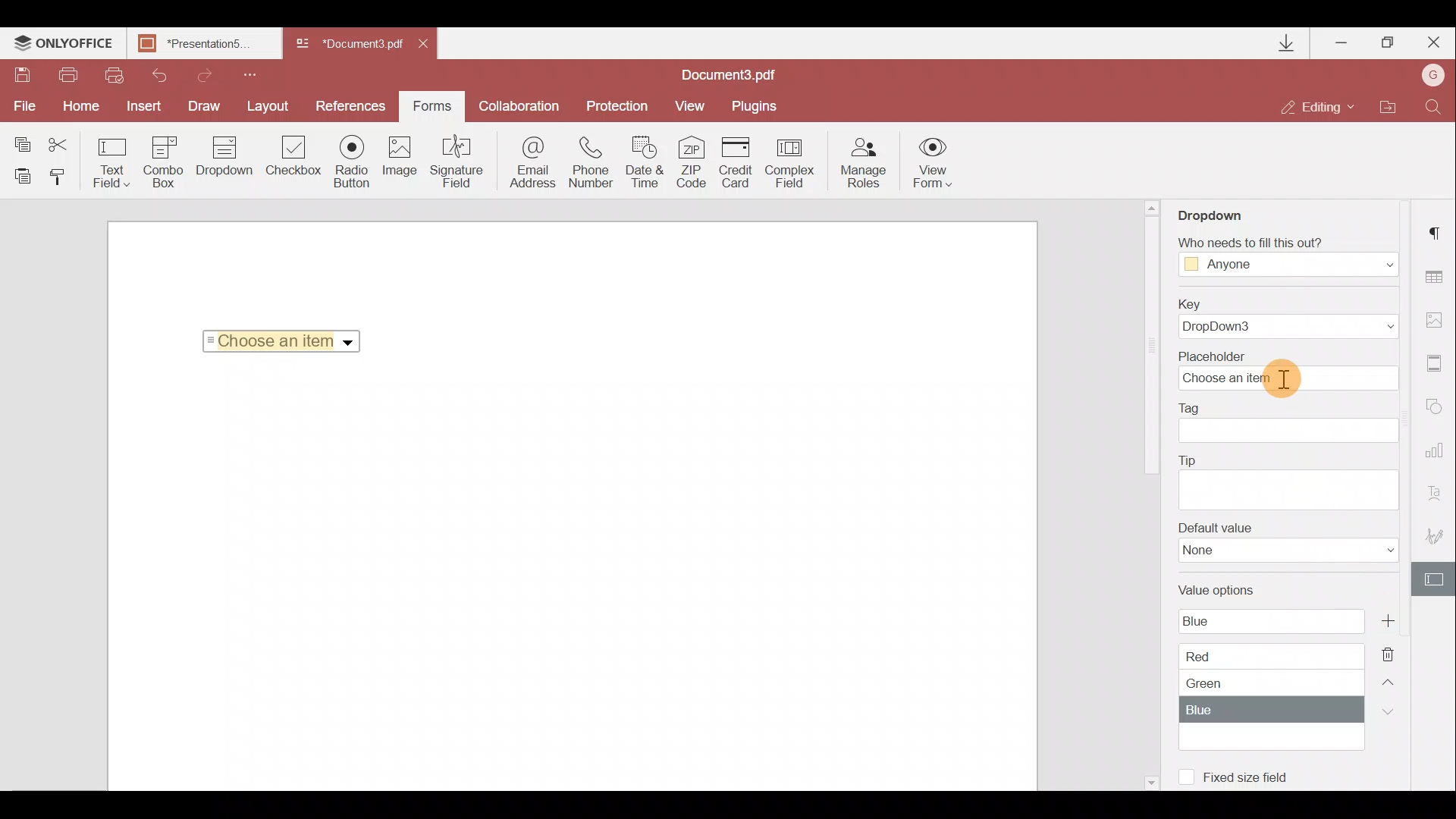 This screenshot has height=819, width=1456. I want to click on Chart settings, so click(1438, 450).